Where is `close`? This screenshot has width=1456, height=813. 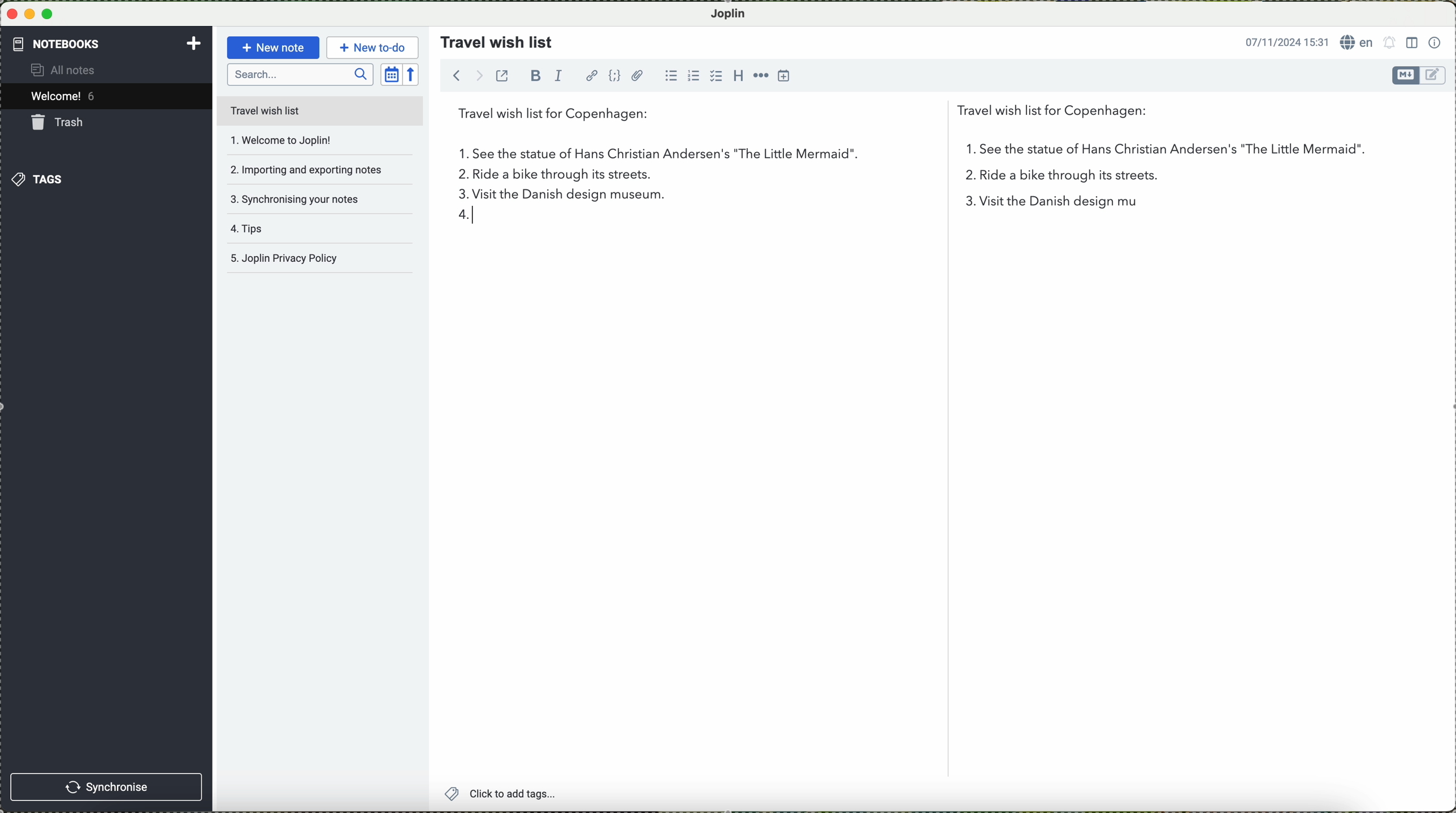
close is located at coordinates (11, 15).